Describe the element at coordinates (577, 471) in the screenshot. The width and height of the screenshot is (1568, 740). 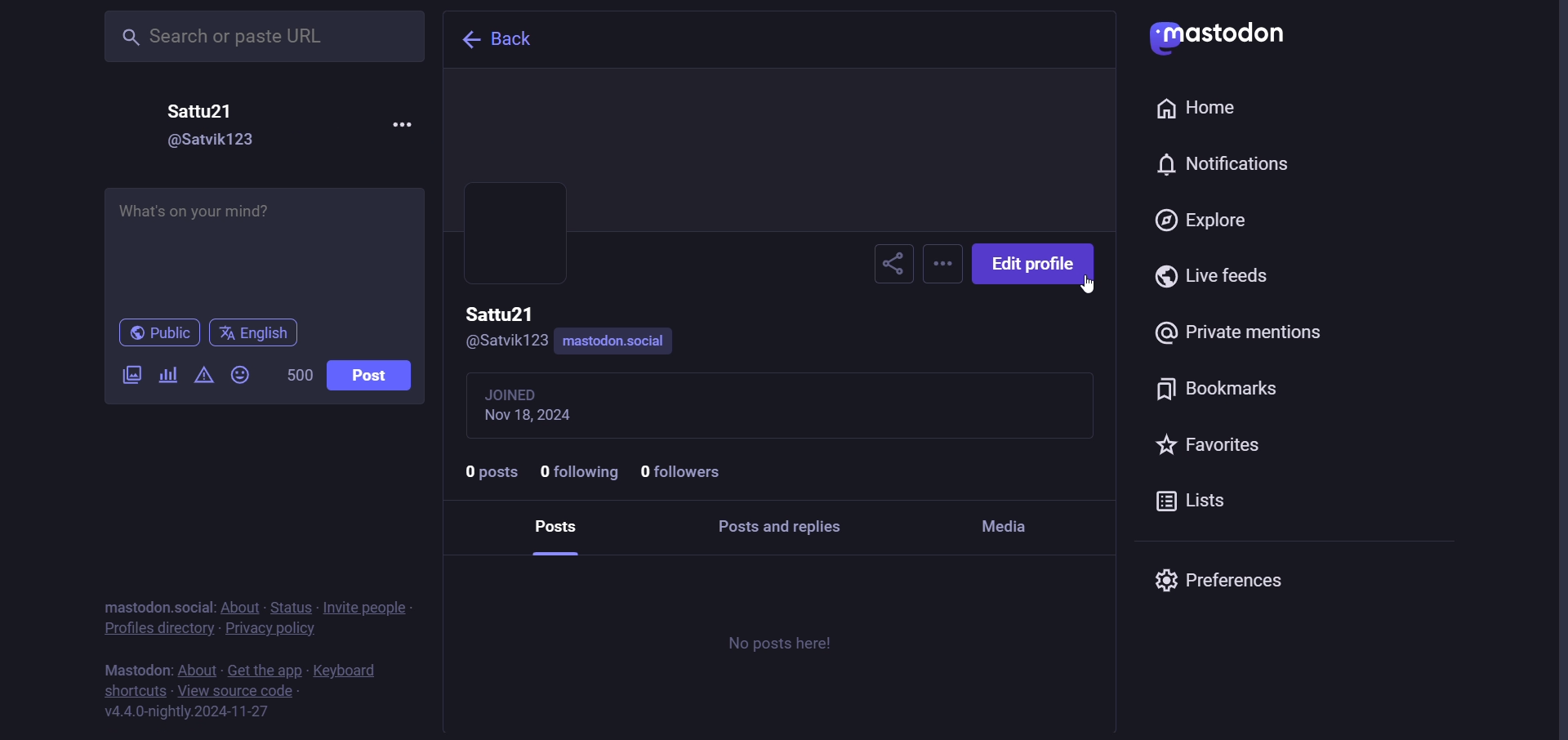
I see `following` at that location.